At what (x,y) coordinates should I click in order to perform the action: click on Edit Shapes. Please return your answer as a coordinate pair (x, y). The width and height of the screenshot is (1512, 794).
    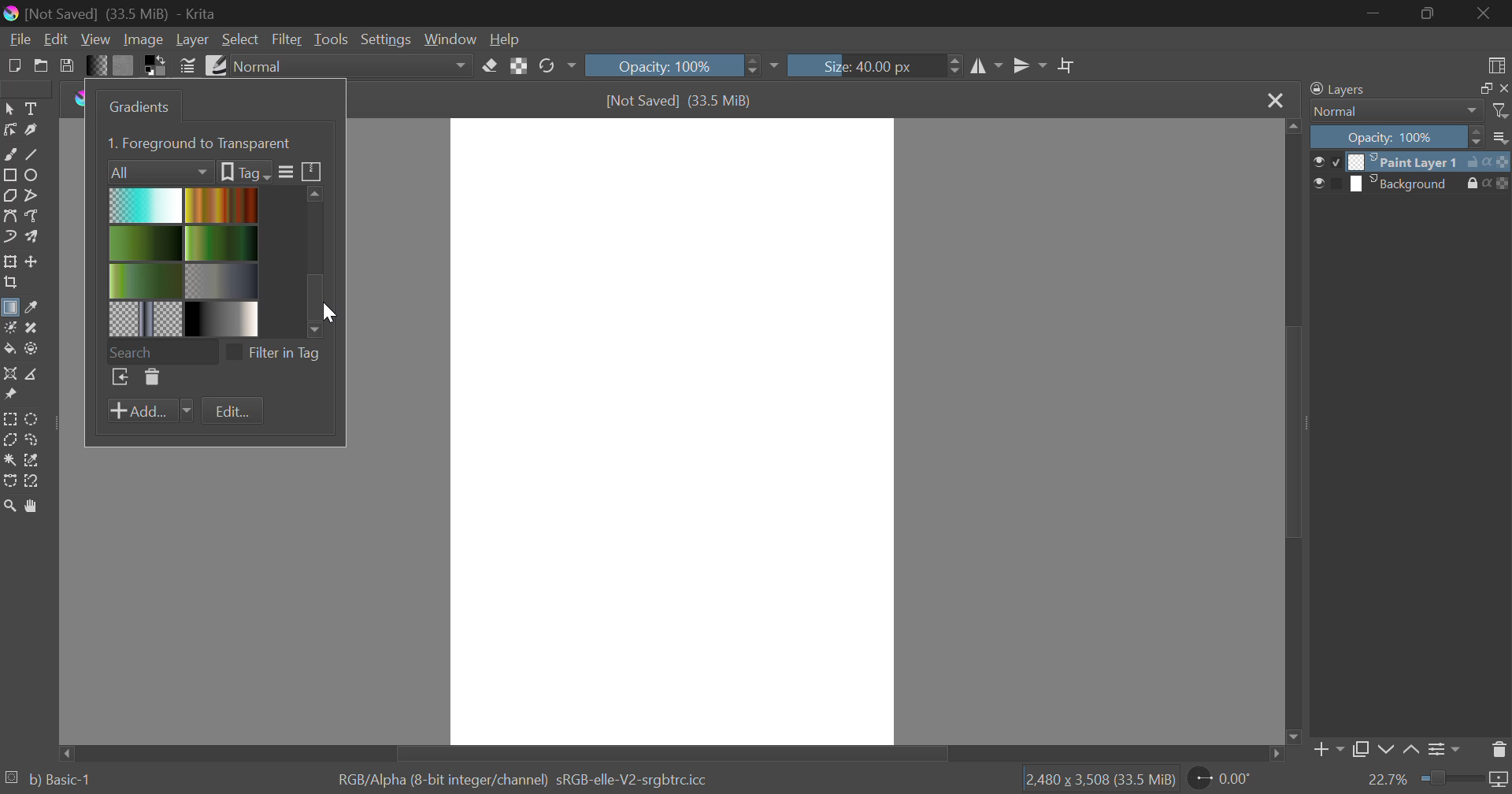
    Looking at the image, I should click on (9, 130).